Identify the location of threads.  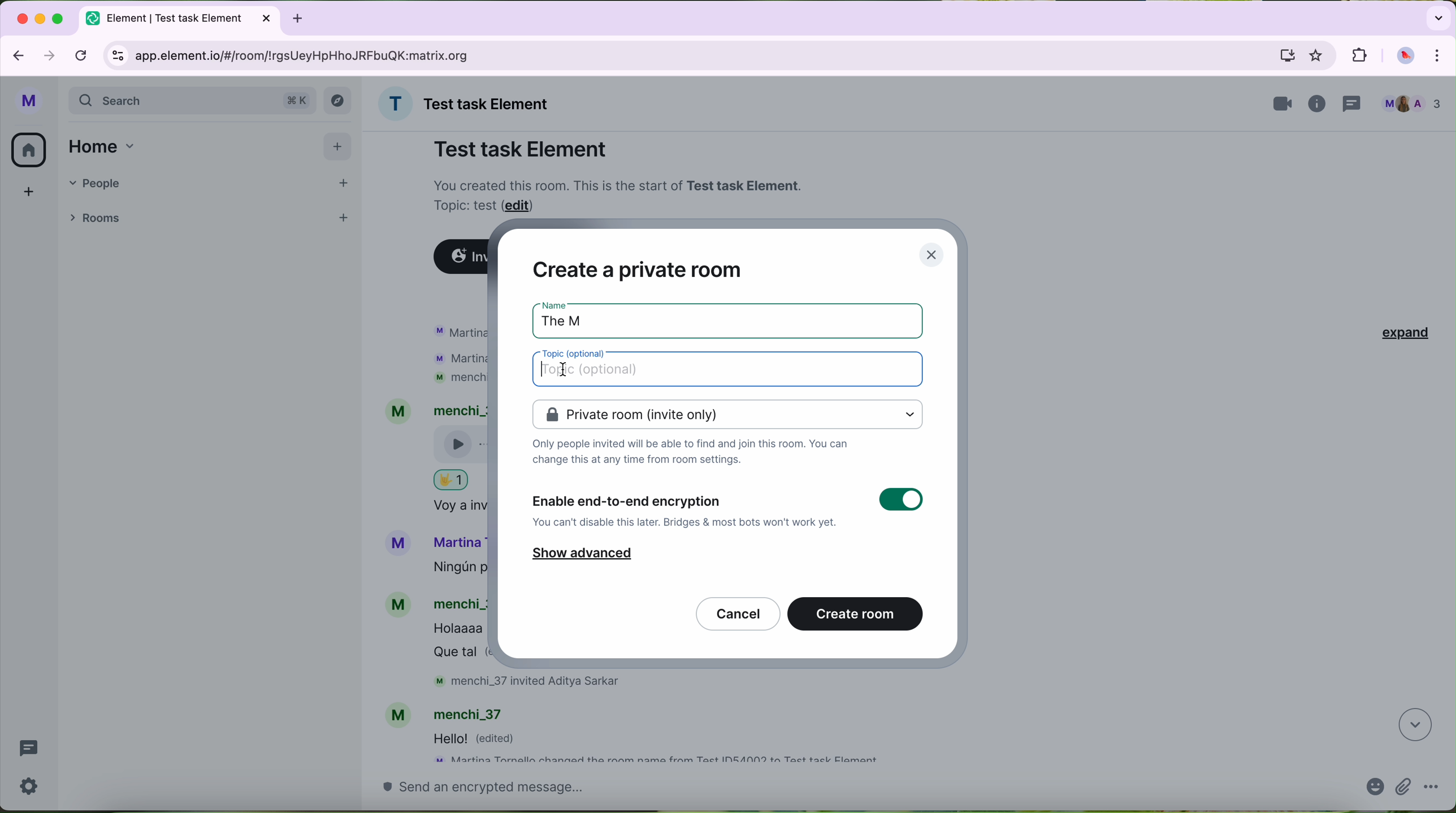
(1355, 102).